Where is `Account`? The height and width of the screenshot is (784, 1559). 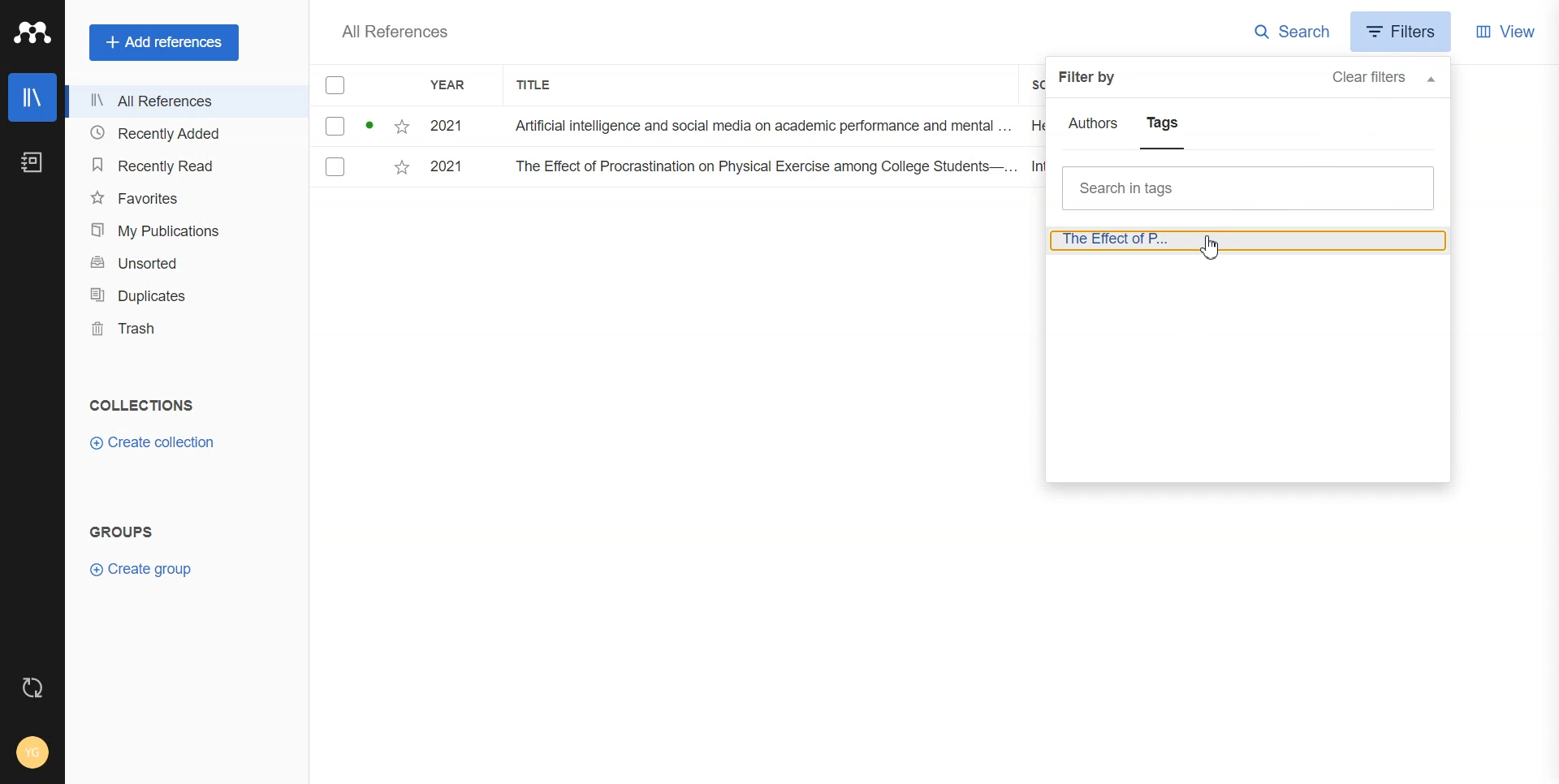
Account is located at coordinates (33, 752).